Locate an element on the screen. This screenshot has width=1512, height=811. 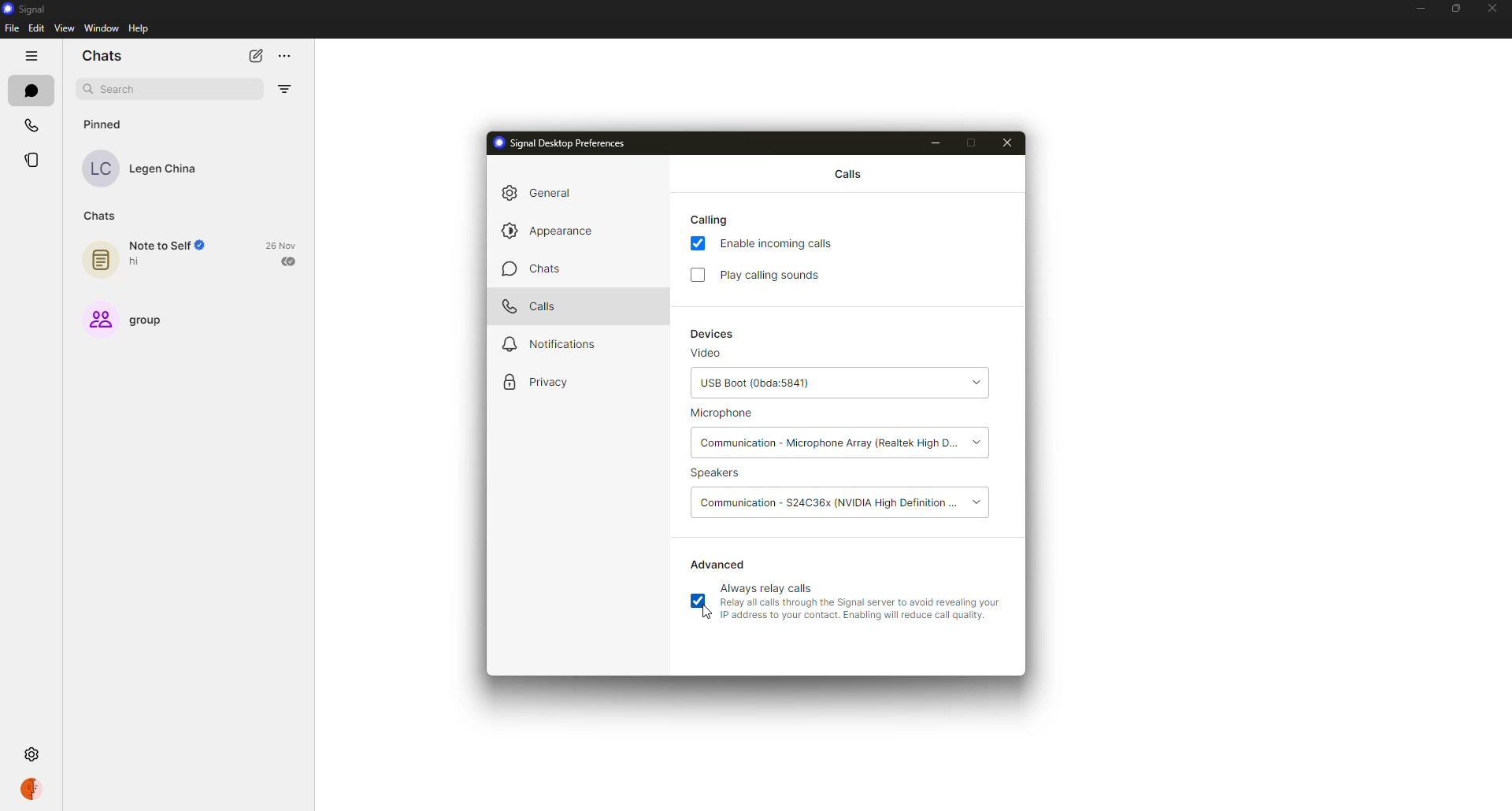
chats is located at coordinates (106, 54).